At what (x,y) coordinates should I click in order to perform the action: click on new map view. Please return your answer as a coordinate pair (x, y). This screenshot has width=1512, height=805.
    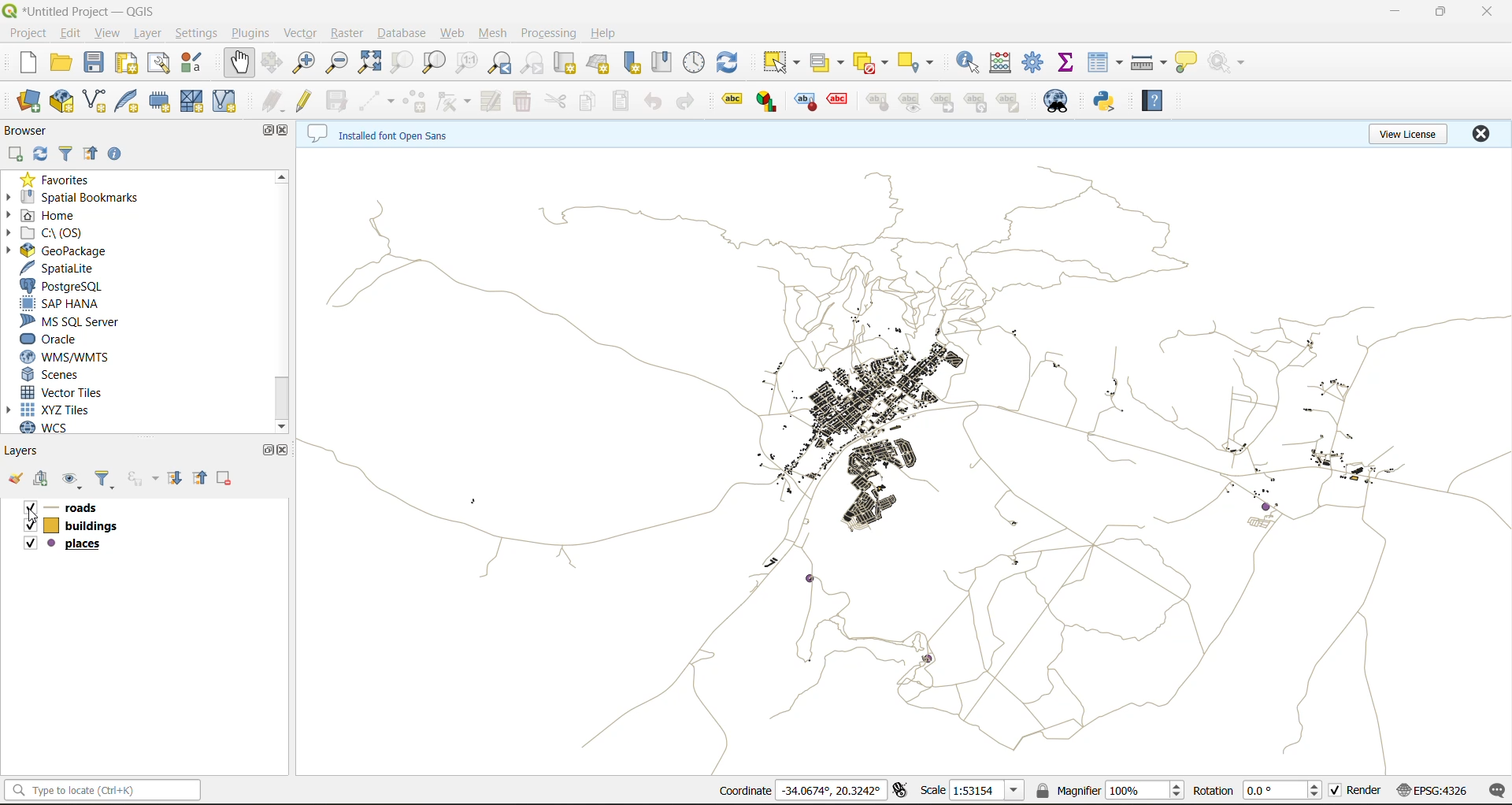
    Looking at the image, I should click on (565, 63).